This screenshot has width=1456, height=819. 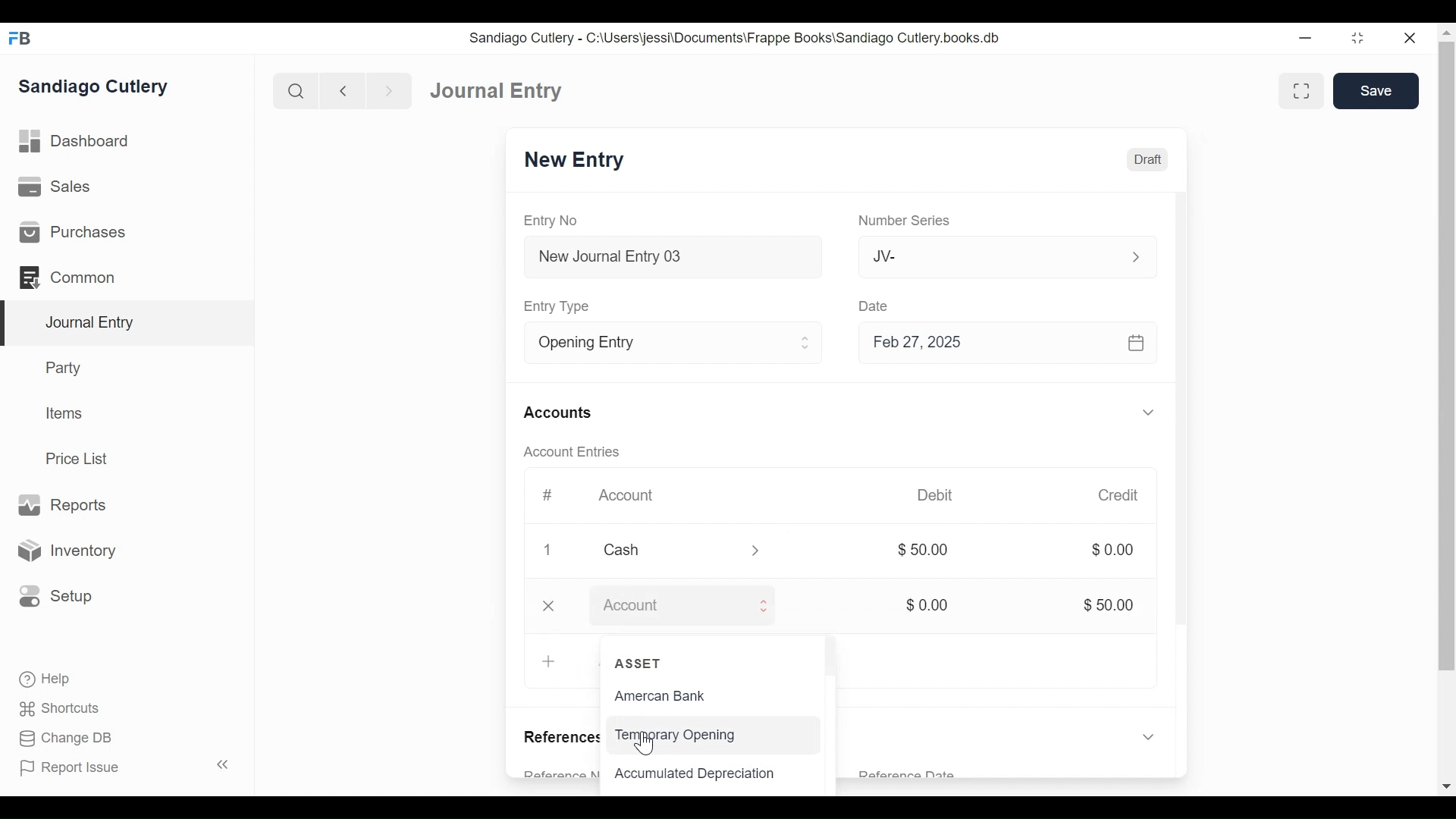 What do you see at coordinates (564, 307) in the screenshot?
I see `Entry Type` at bounding box center [564, 307].